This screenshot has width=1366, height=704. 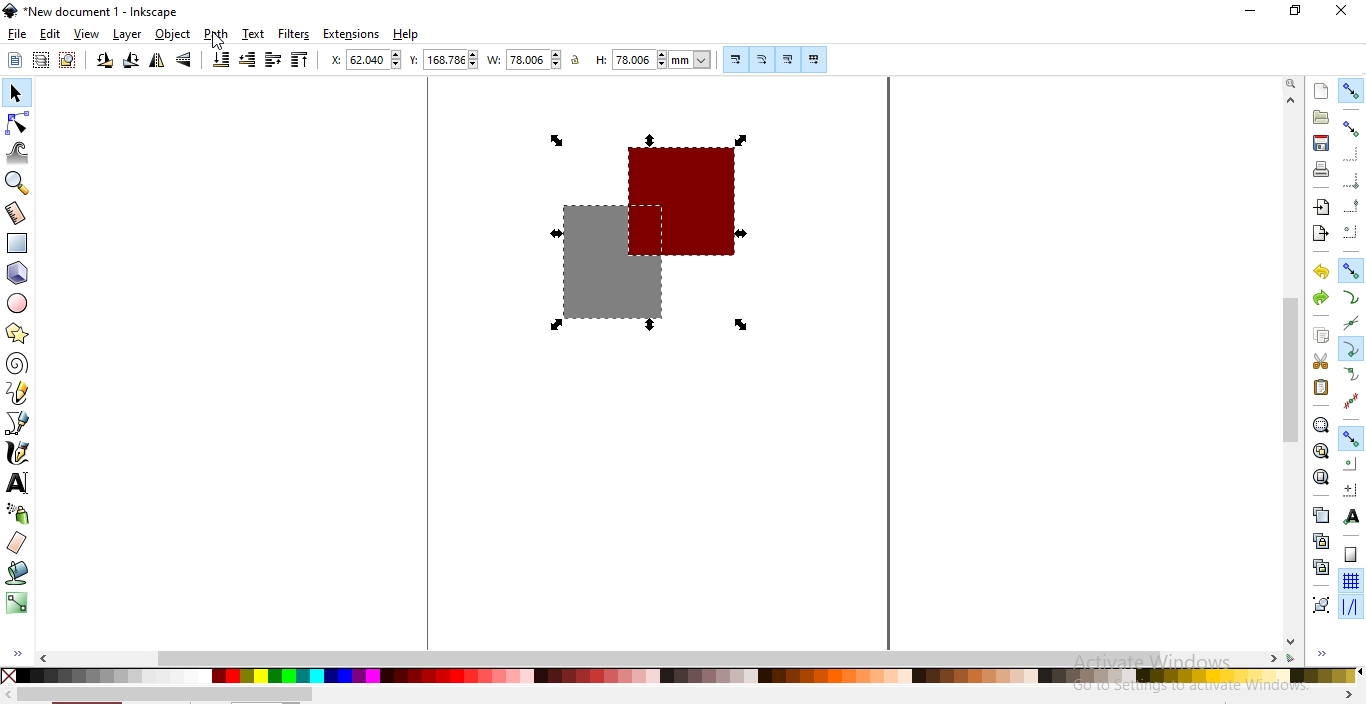 What do you see at coordinates (444, 61) in the screenshot?
I see `vertical coordiante of selection` at bounding box center [444, 61].